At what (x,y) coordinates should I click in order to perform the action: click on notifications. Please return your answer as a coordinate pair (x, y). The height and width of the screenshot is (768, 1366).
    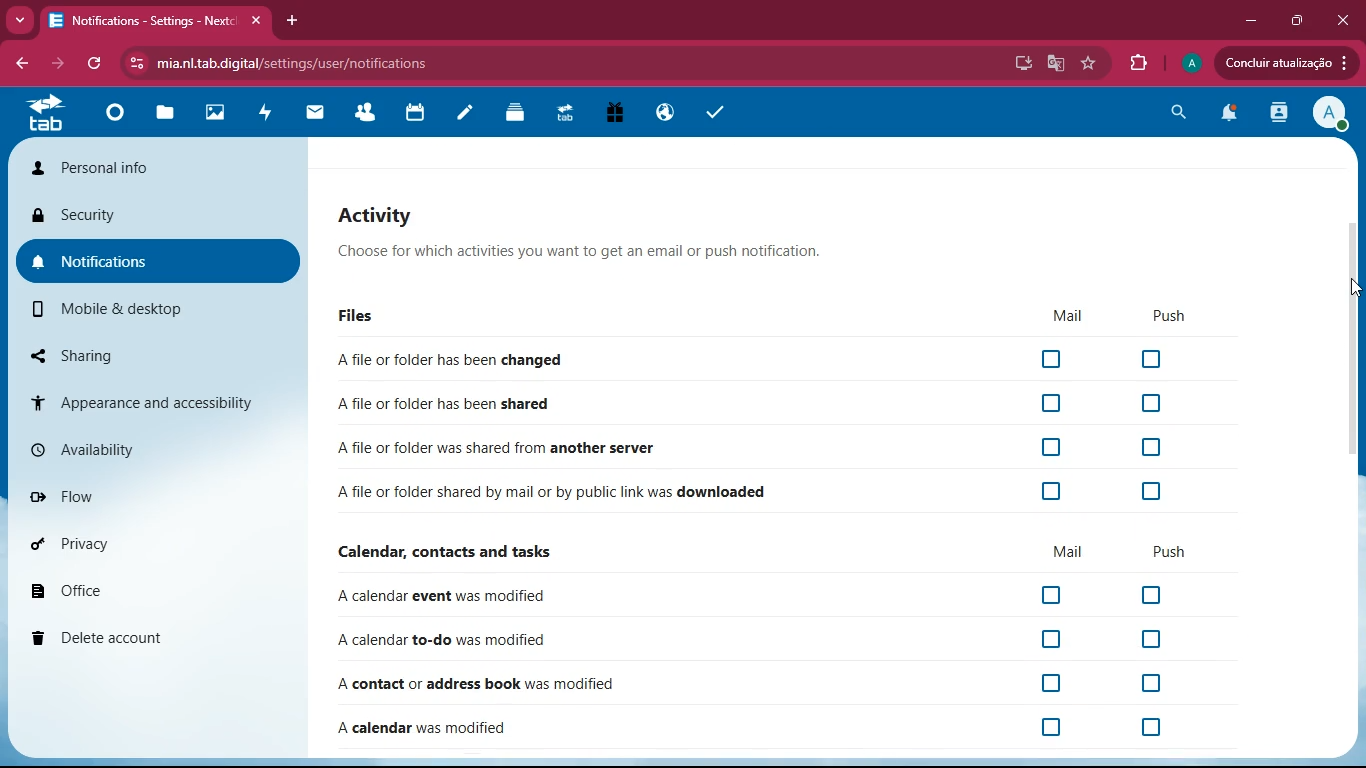
    Looking at the image, I should click on (160, 258).